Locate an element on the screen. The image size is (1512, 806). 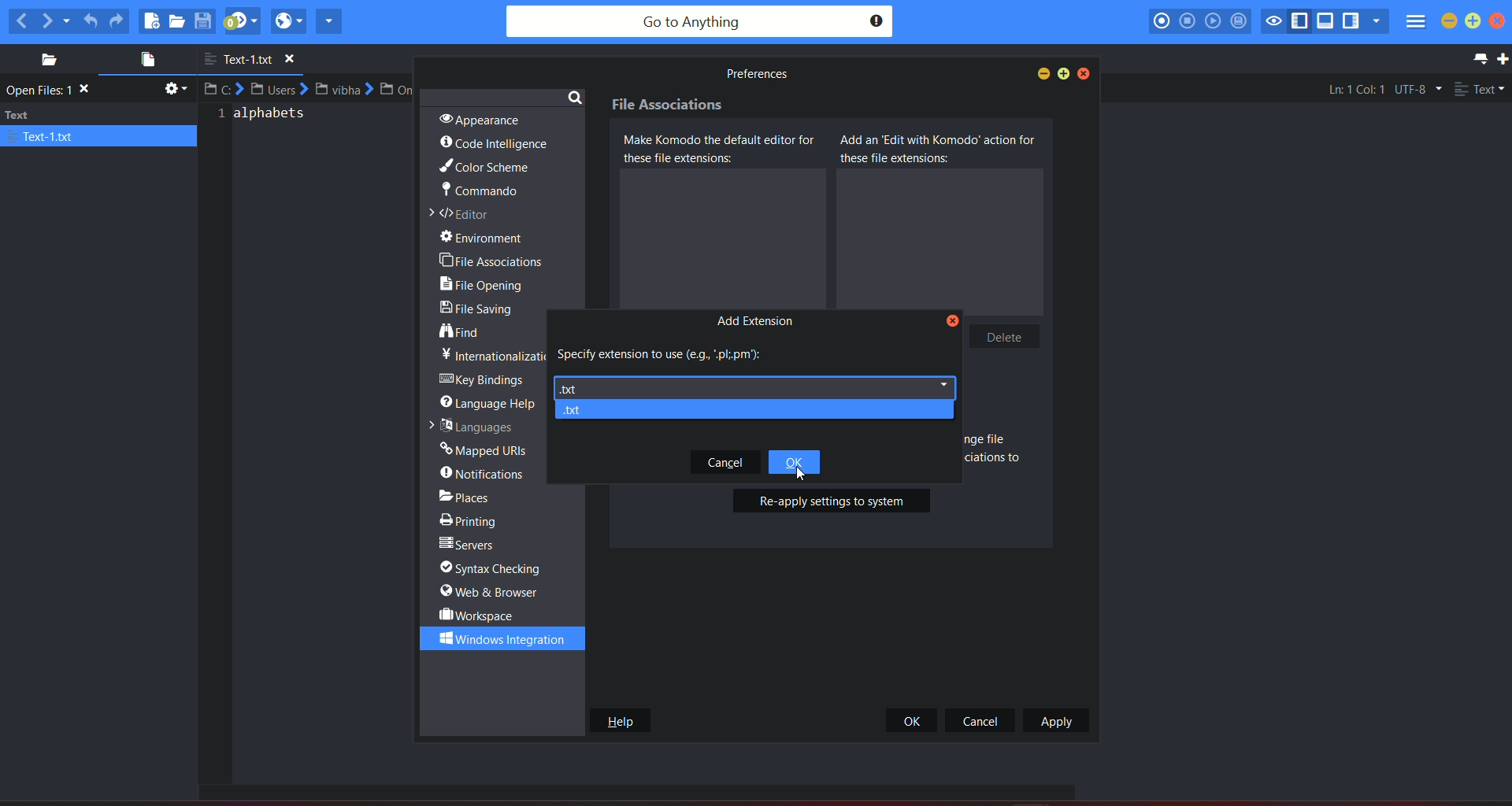
close is located at coordinates (1085, 73).